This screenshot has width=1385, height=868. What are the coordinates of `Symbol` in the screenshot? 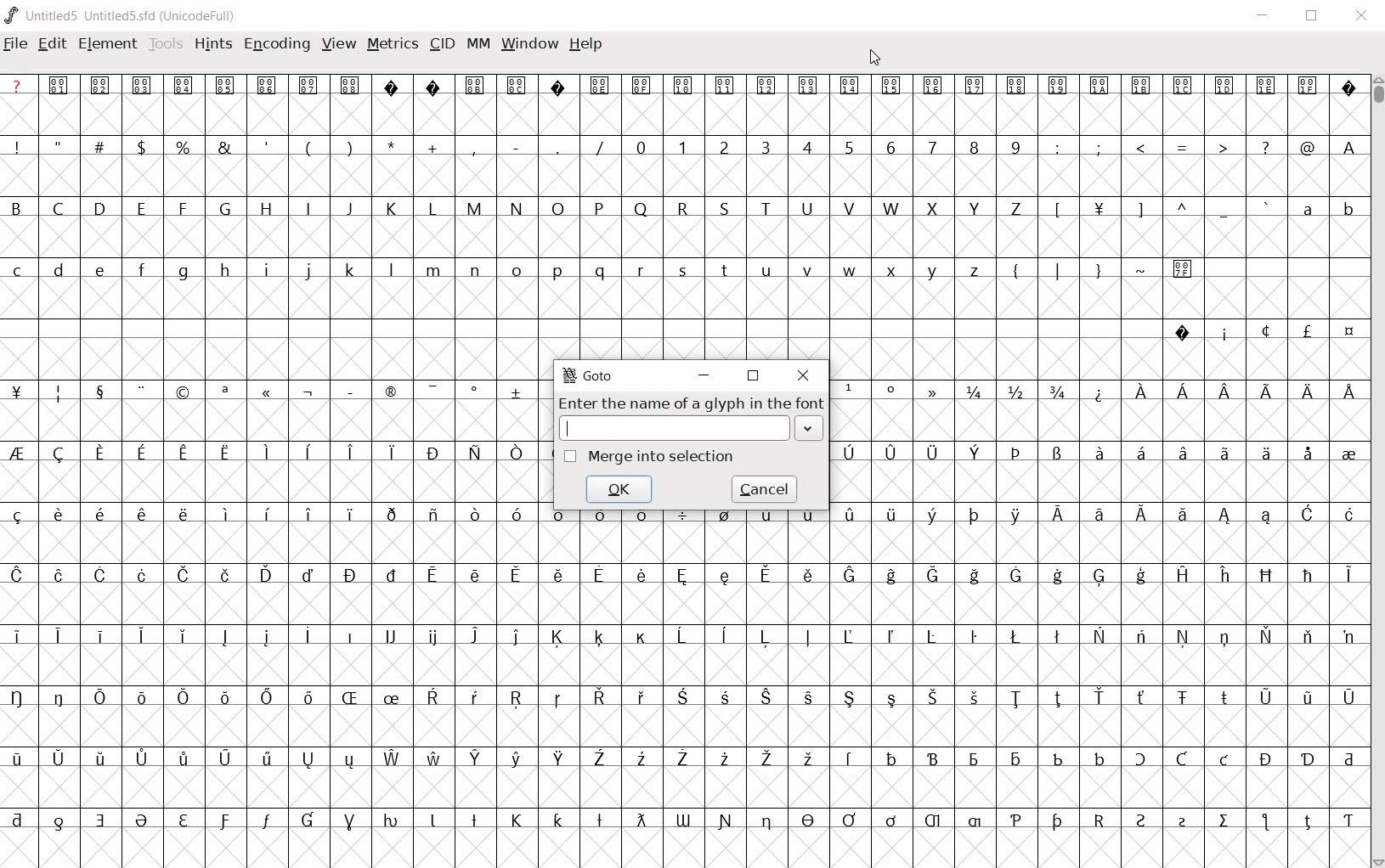 It's located at (517, 454).